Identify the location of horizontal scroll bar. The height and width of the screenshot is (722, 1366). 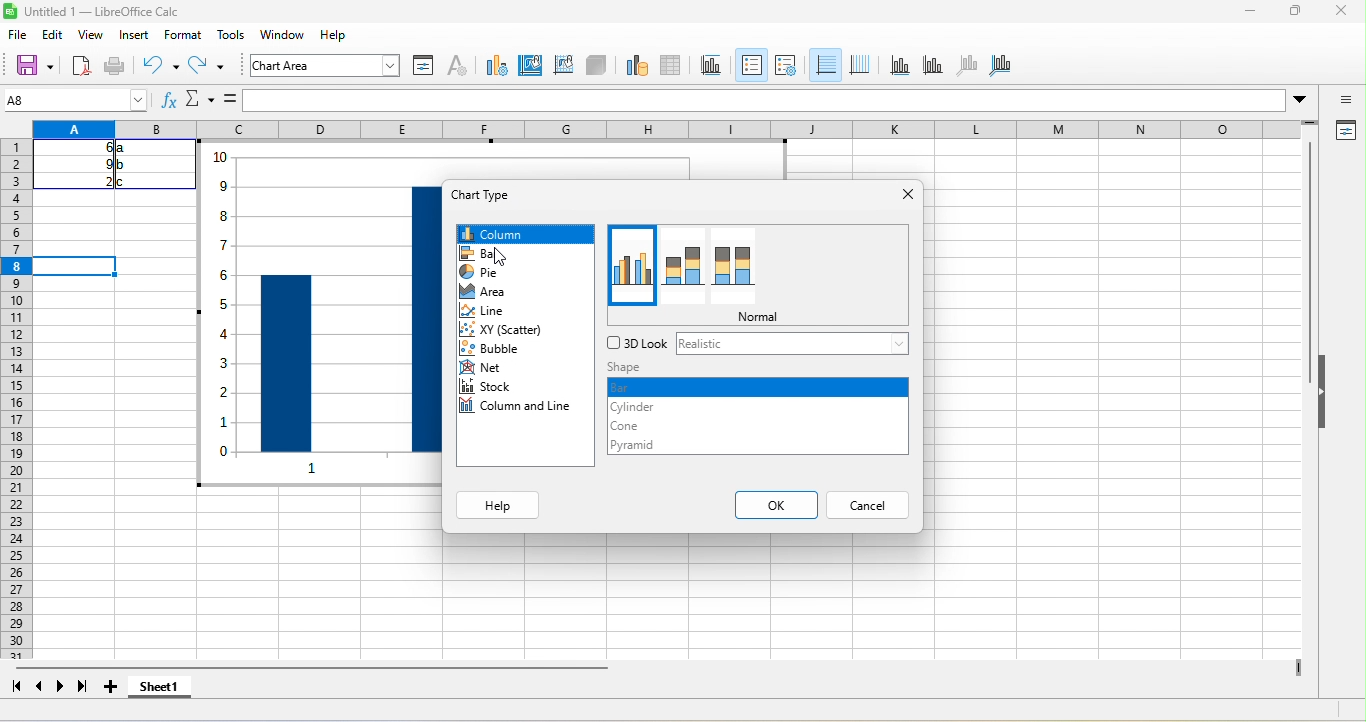
(326, 667).